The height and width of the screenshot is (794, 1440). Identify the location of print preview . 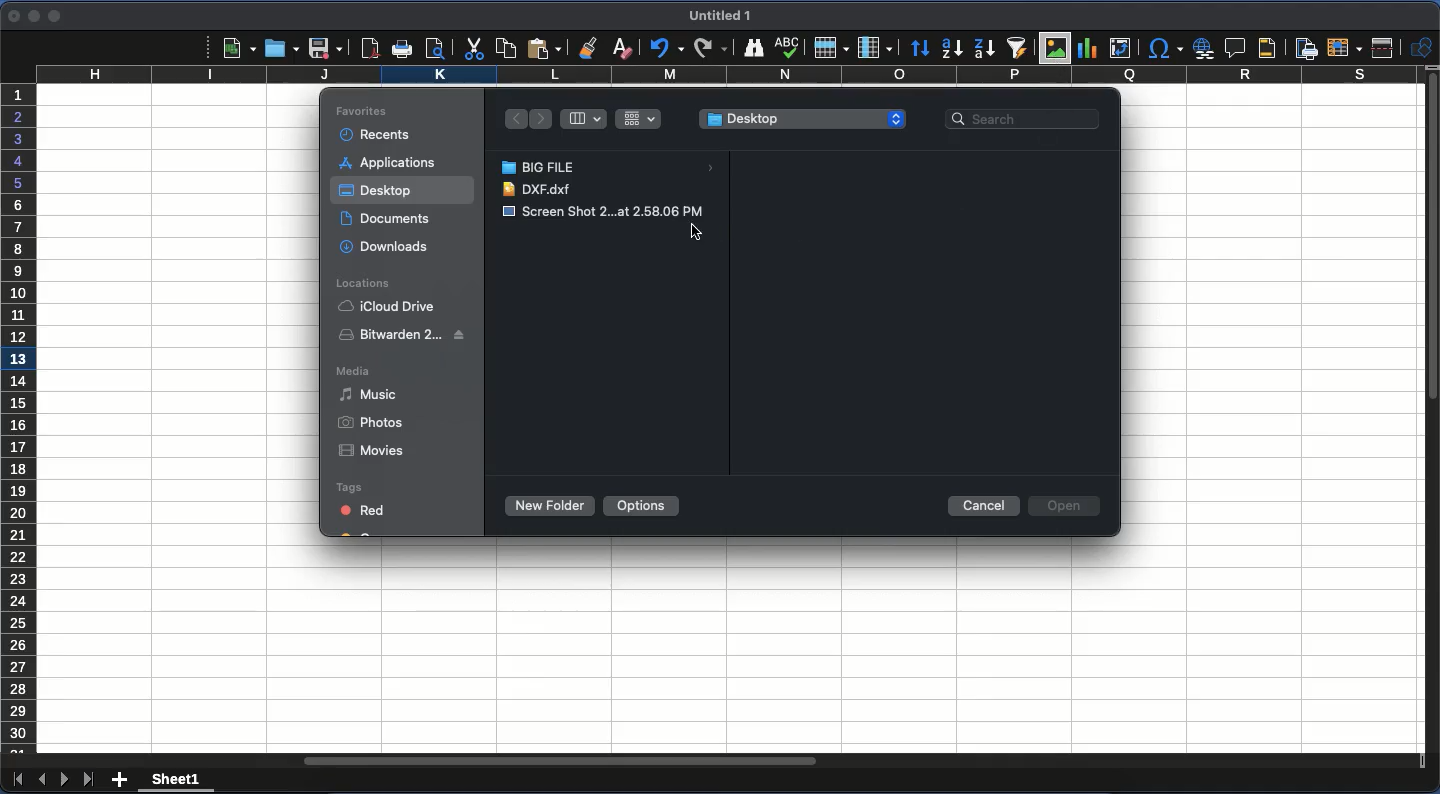
(440, 49).